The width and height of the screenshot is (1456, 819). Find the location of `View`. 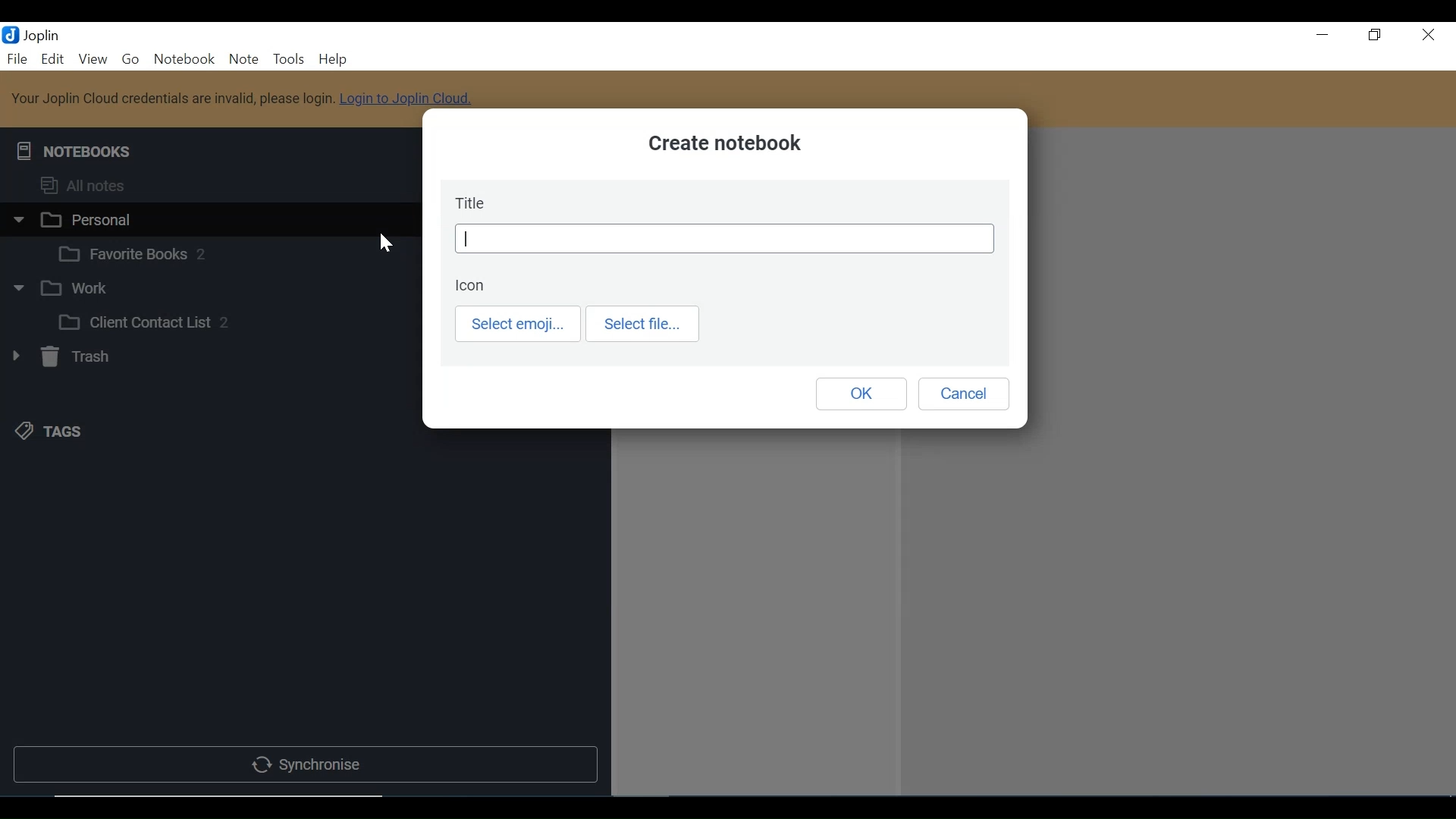

View is located at coordinates (93, 60).